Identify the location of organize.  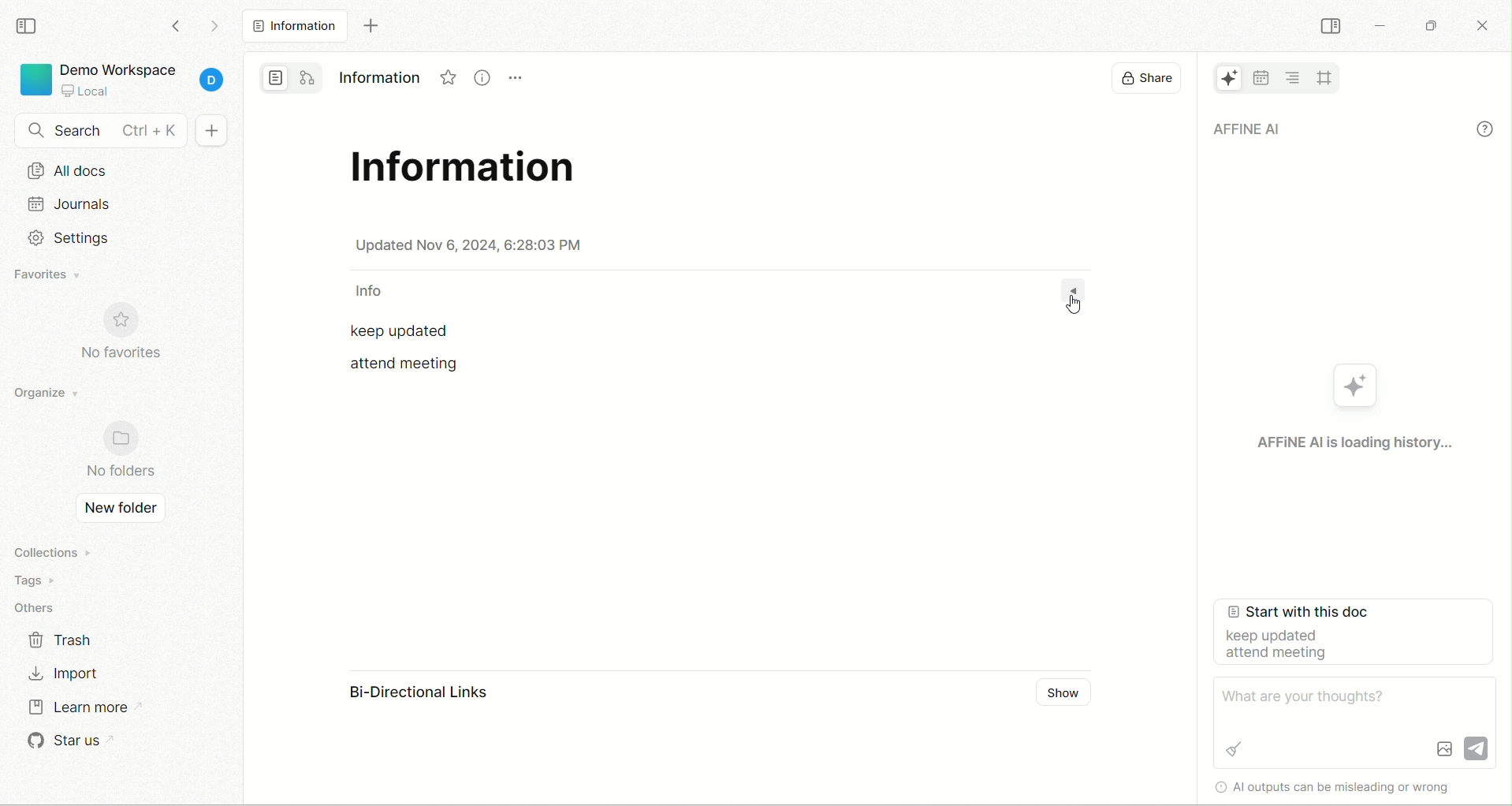
(45, 398).